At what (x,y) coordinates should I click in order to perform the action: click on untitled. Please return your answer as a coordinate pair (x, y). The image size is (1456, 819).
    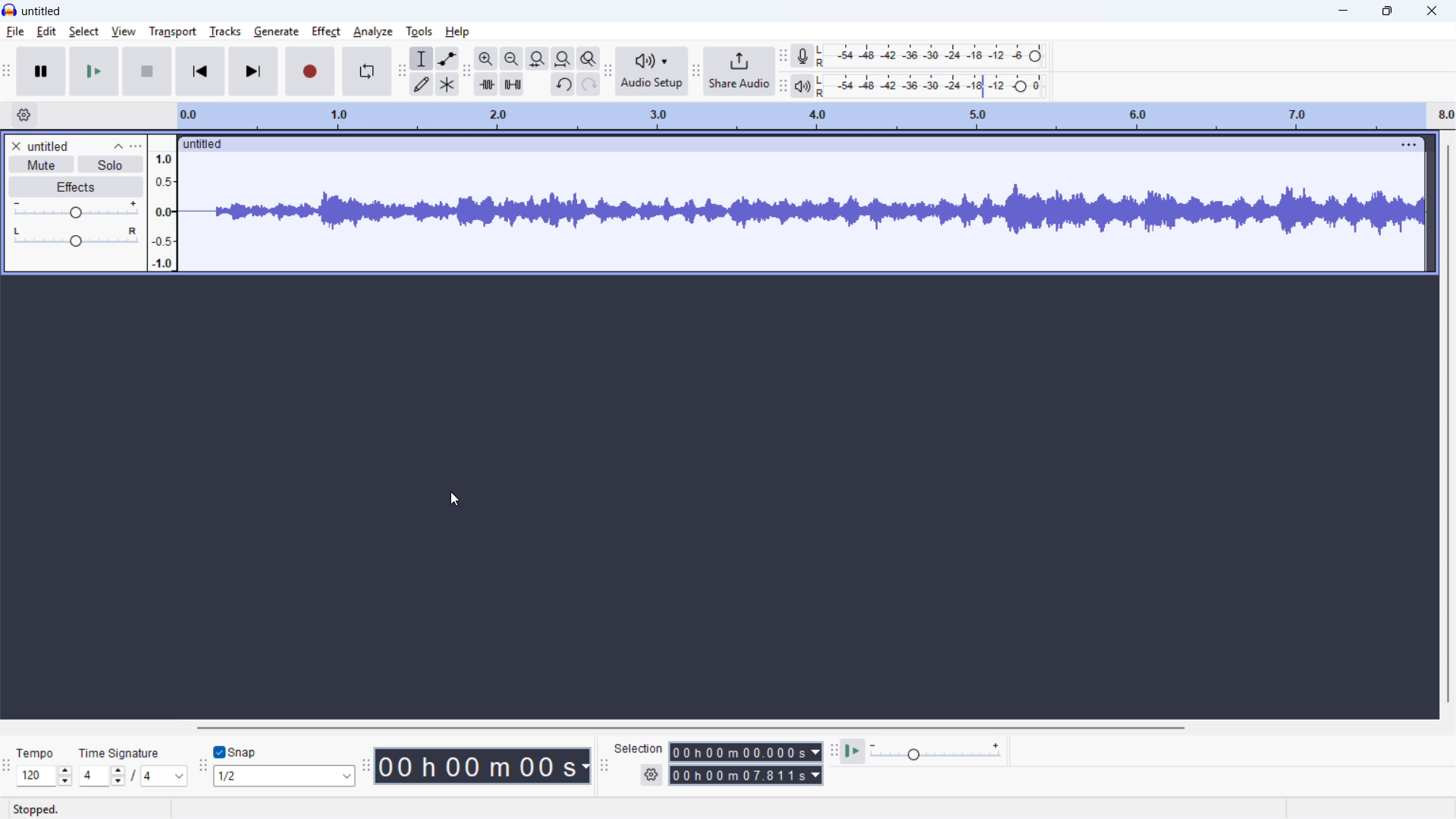
    Looking at the image, I should click on (41, 11).